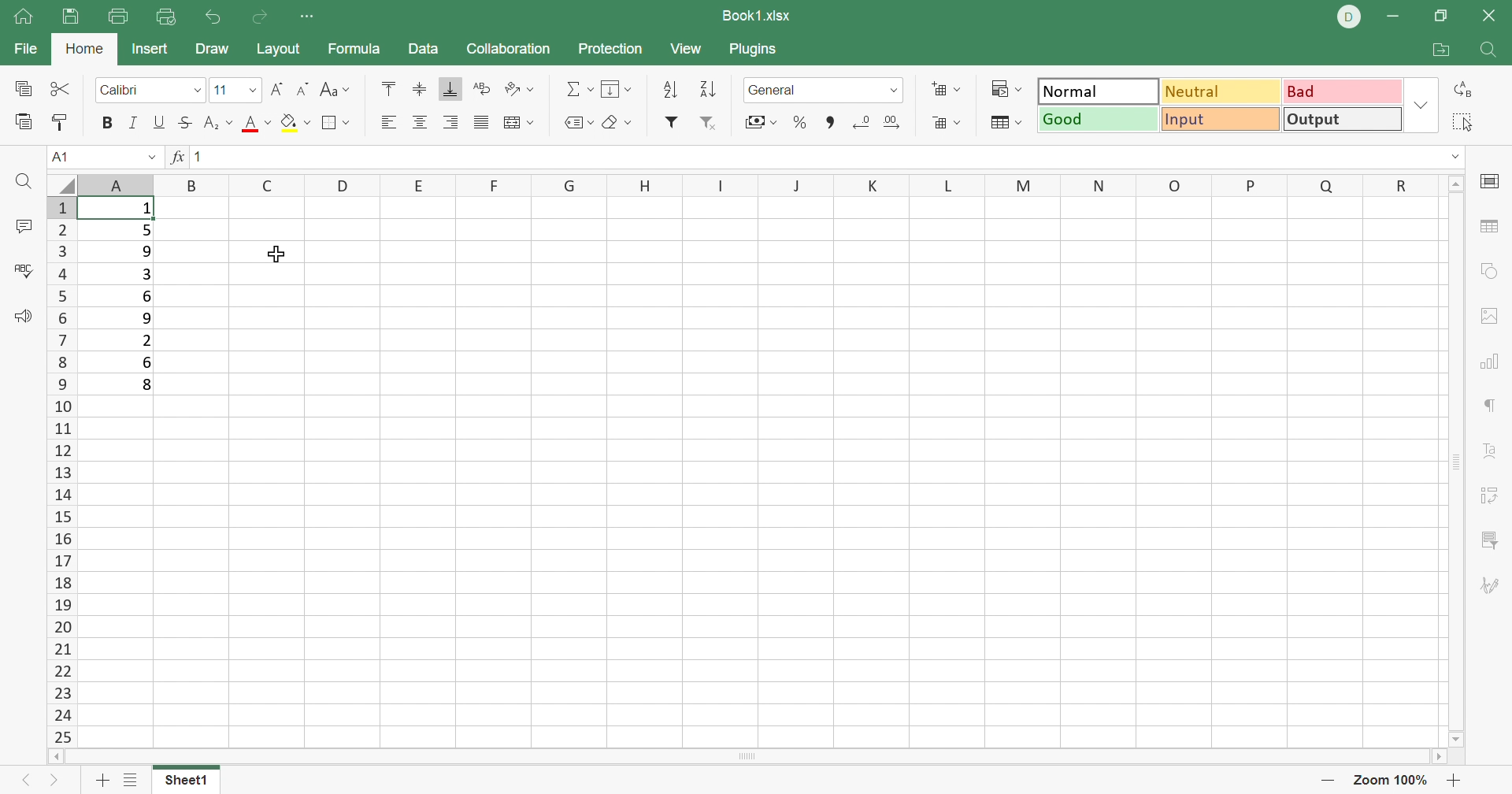  Describe the element at coordinates (753, 758) in the screenshot. I see `Scroll Bar` at that location.